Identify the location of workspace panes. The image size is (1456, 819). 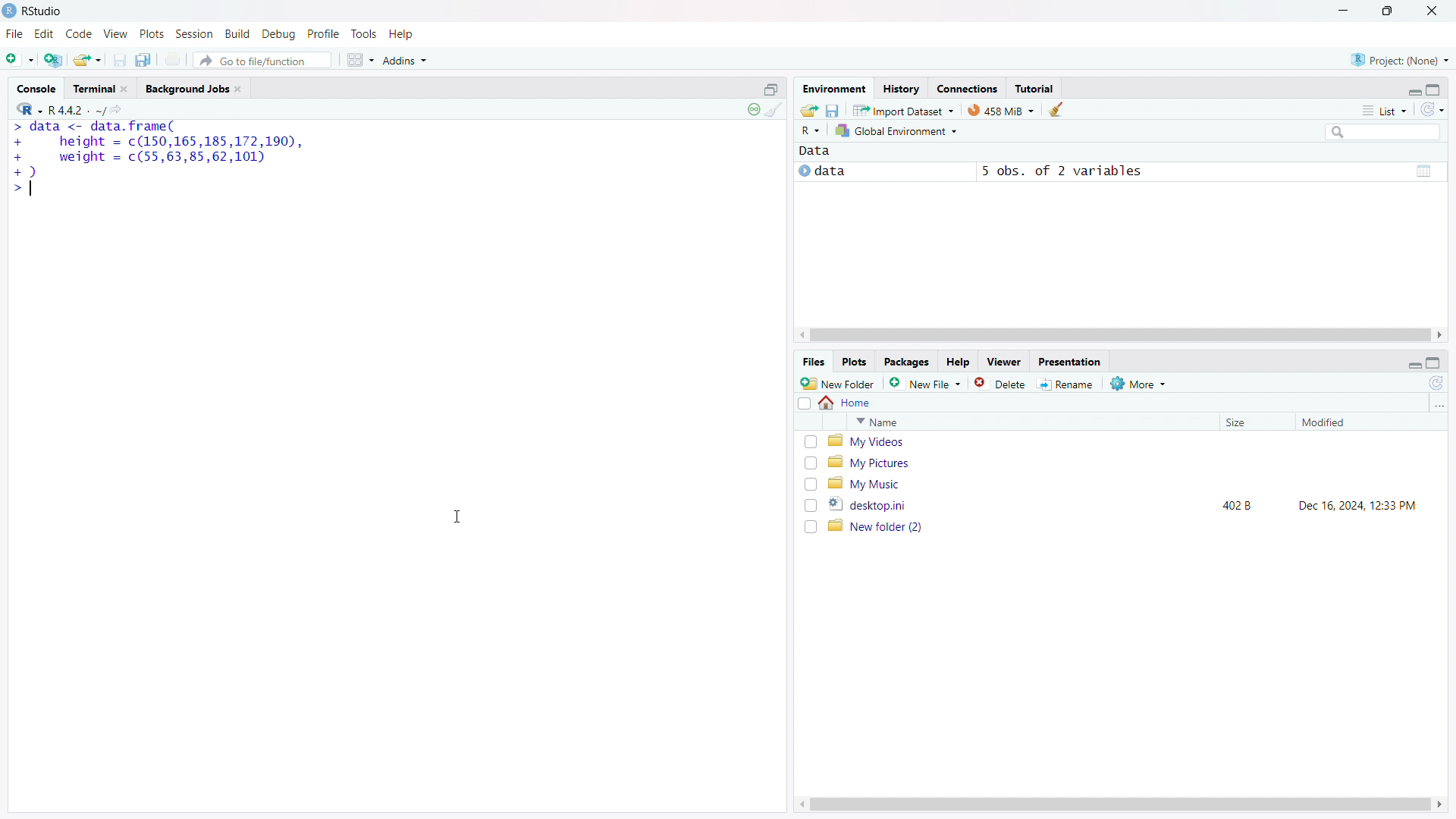
(359, 60).